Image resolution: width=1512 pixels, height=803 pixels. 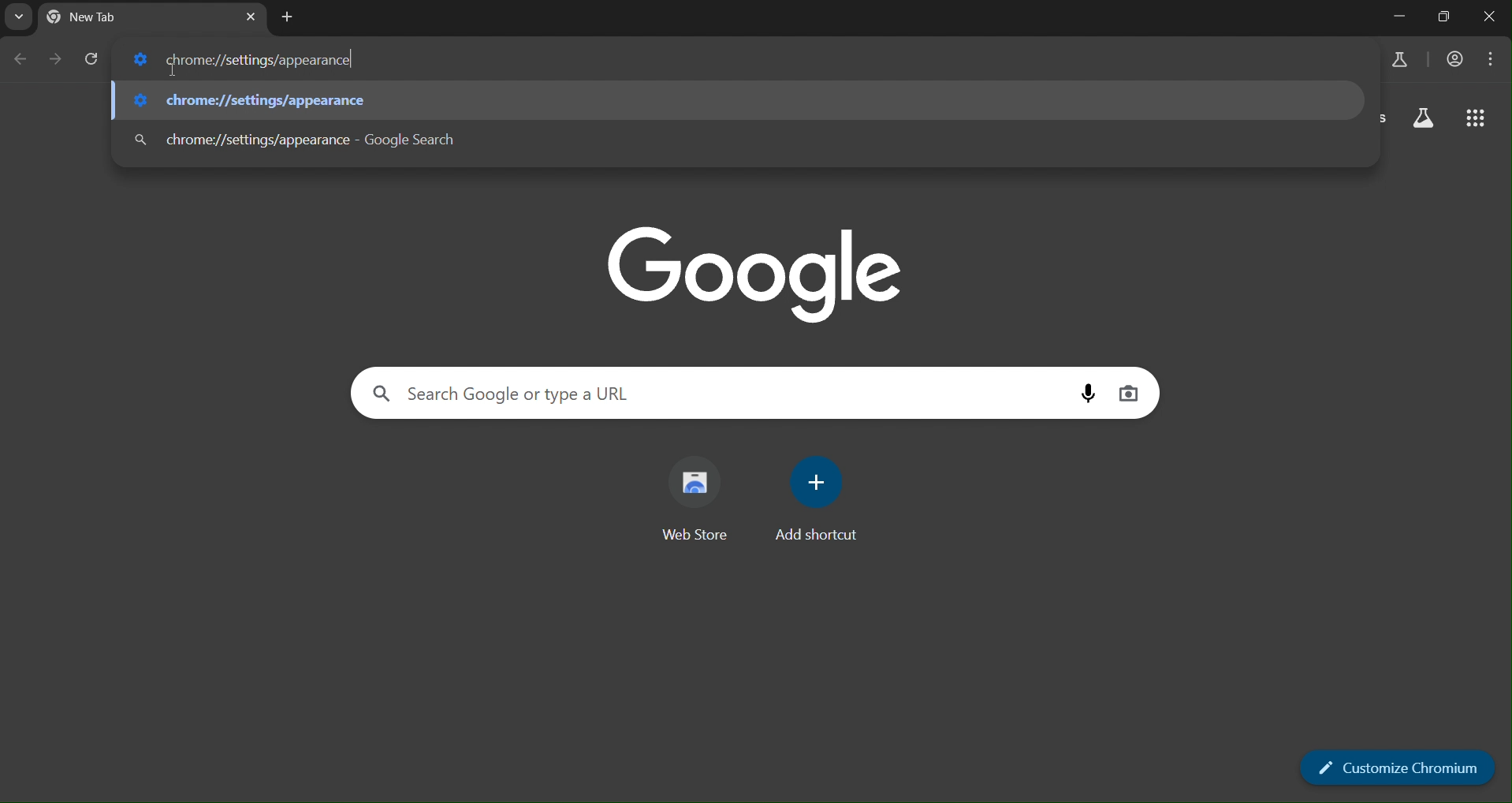 What do you see at coordinates (329, 139) in the screenshot?
I see `chrome://settings/appearance` at bounding box center [329, 139].